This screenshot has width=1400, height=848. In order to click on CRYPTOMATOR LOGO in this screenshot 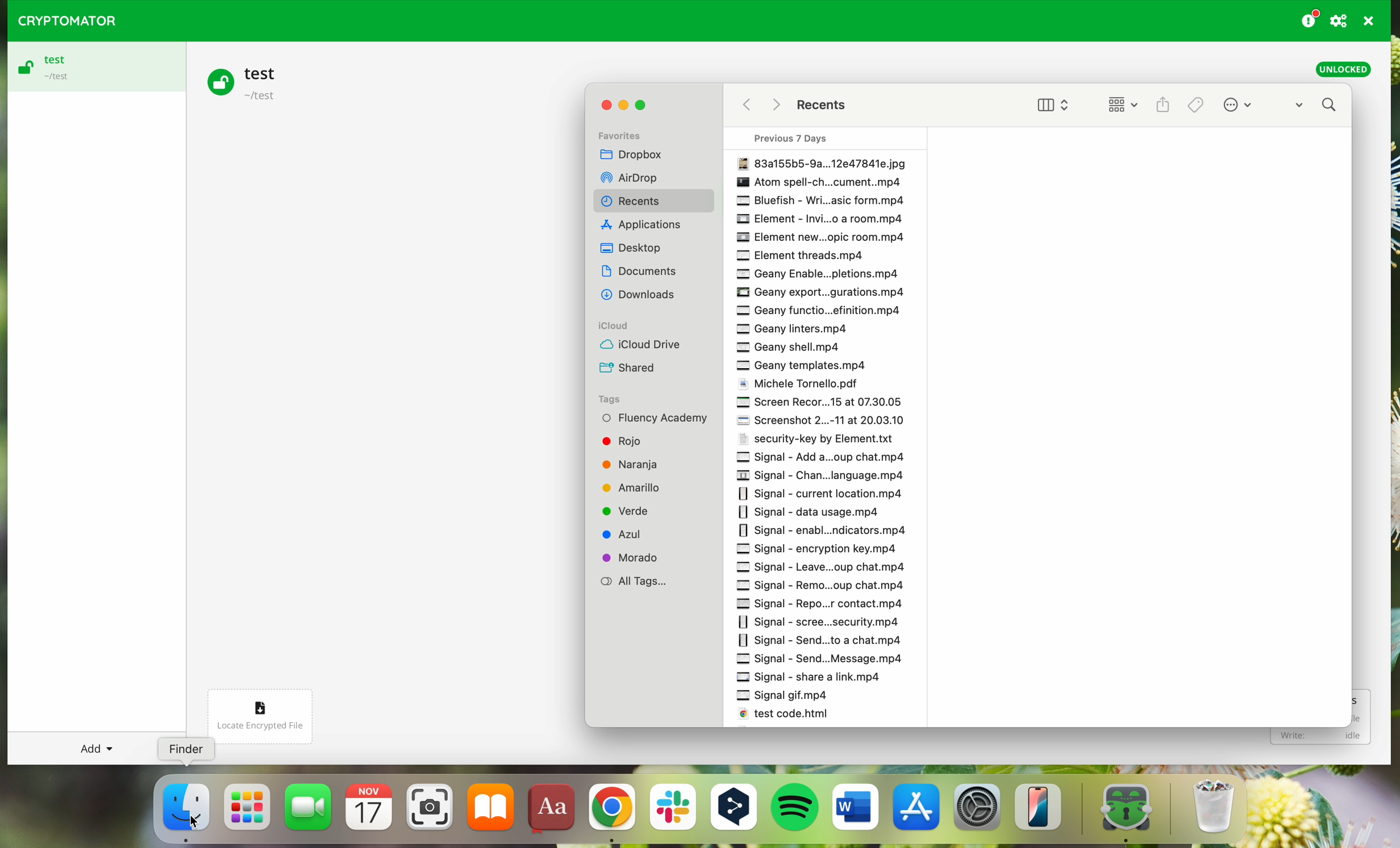, I will do `click(62, 18)`.